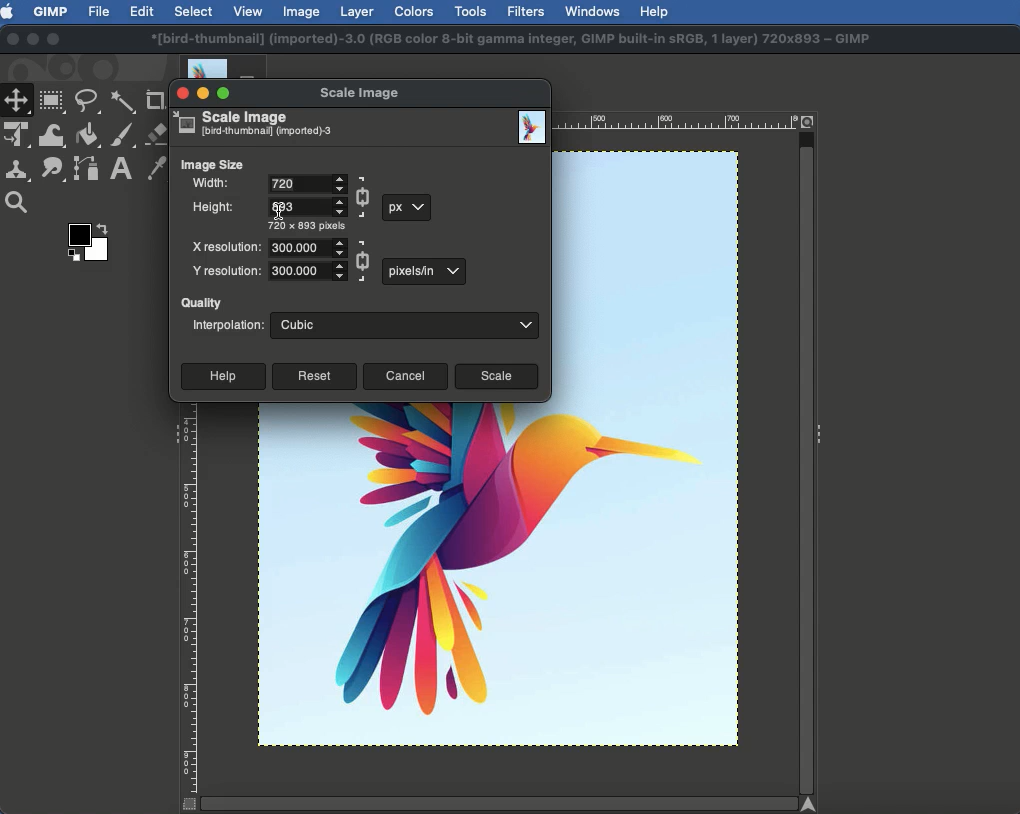 This screenshot has width=1020, height=814. What do you see at coordinates (86, 169) in the screenshot?
I see `Paths` at bounding box center [86, 169].